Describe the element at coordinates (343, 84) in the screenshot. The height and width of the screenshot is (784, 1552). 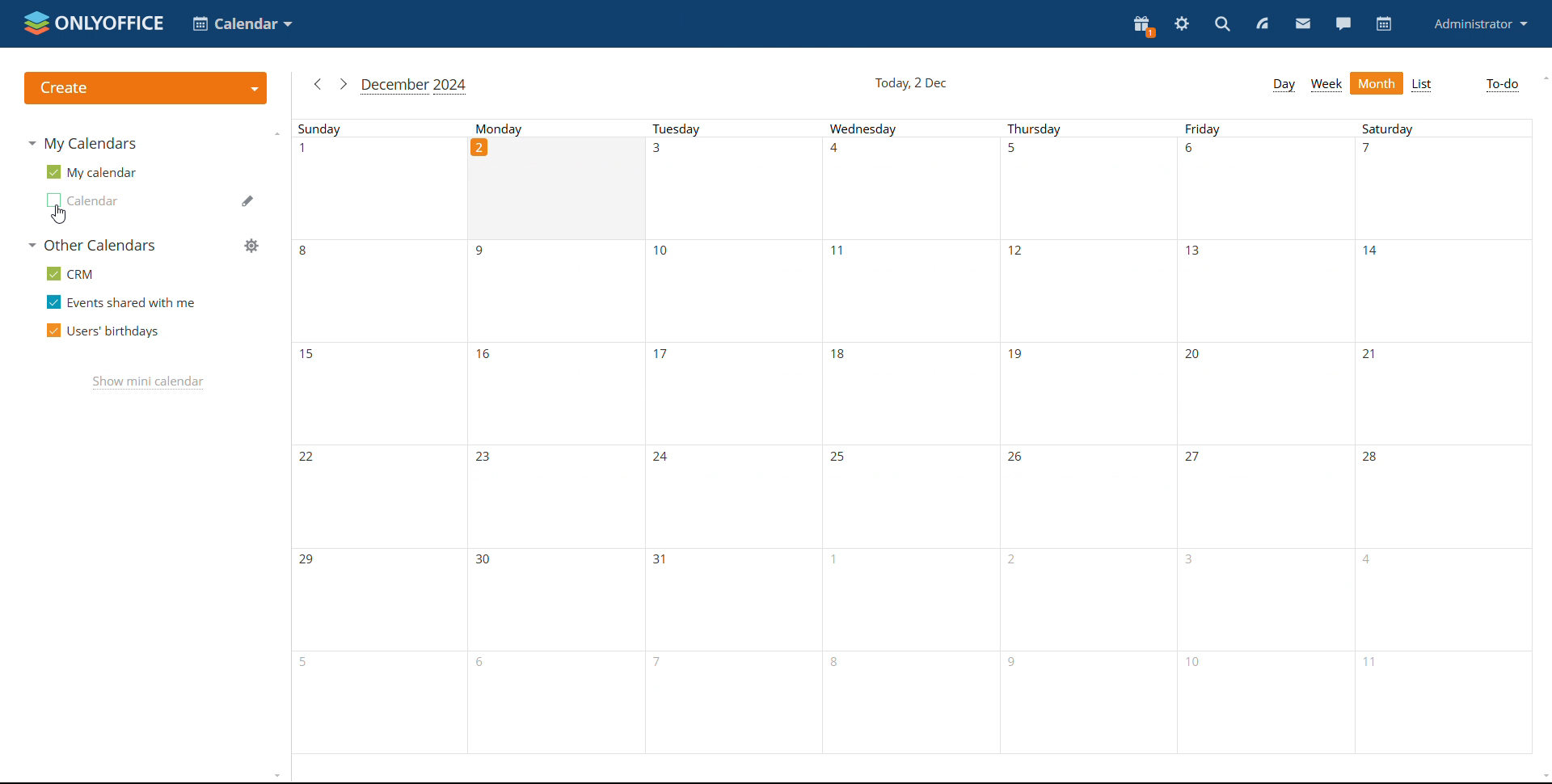
I see `next month` at that location.